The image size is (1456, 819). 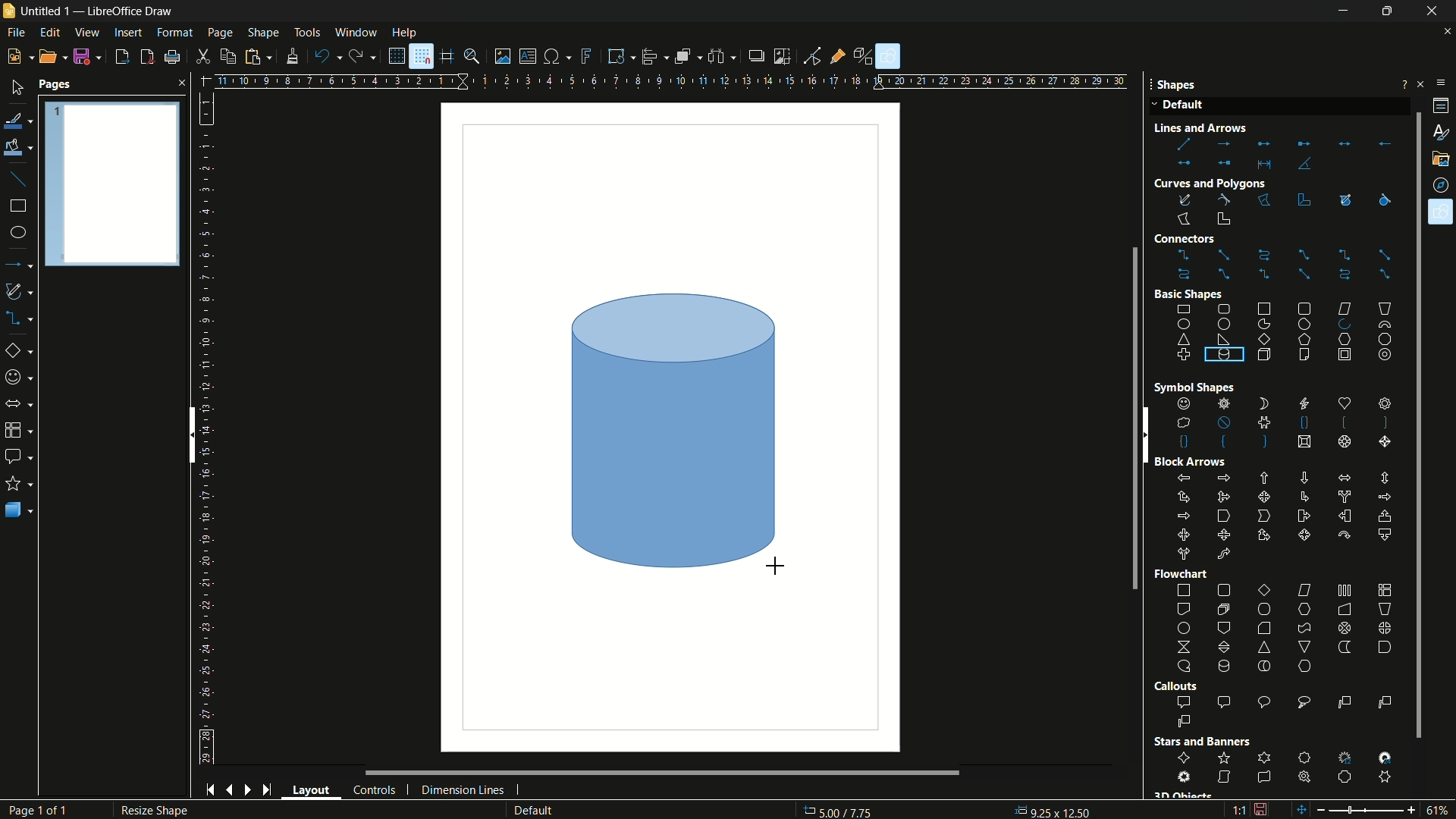 I want to click on new file, so click(x=18, y=57).